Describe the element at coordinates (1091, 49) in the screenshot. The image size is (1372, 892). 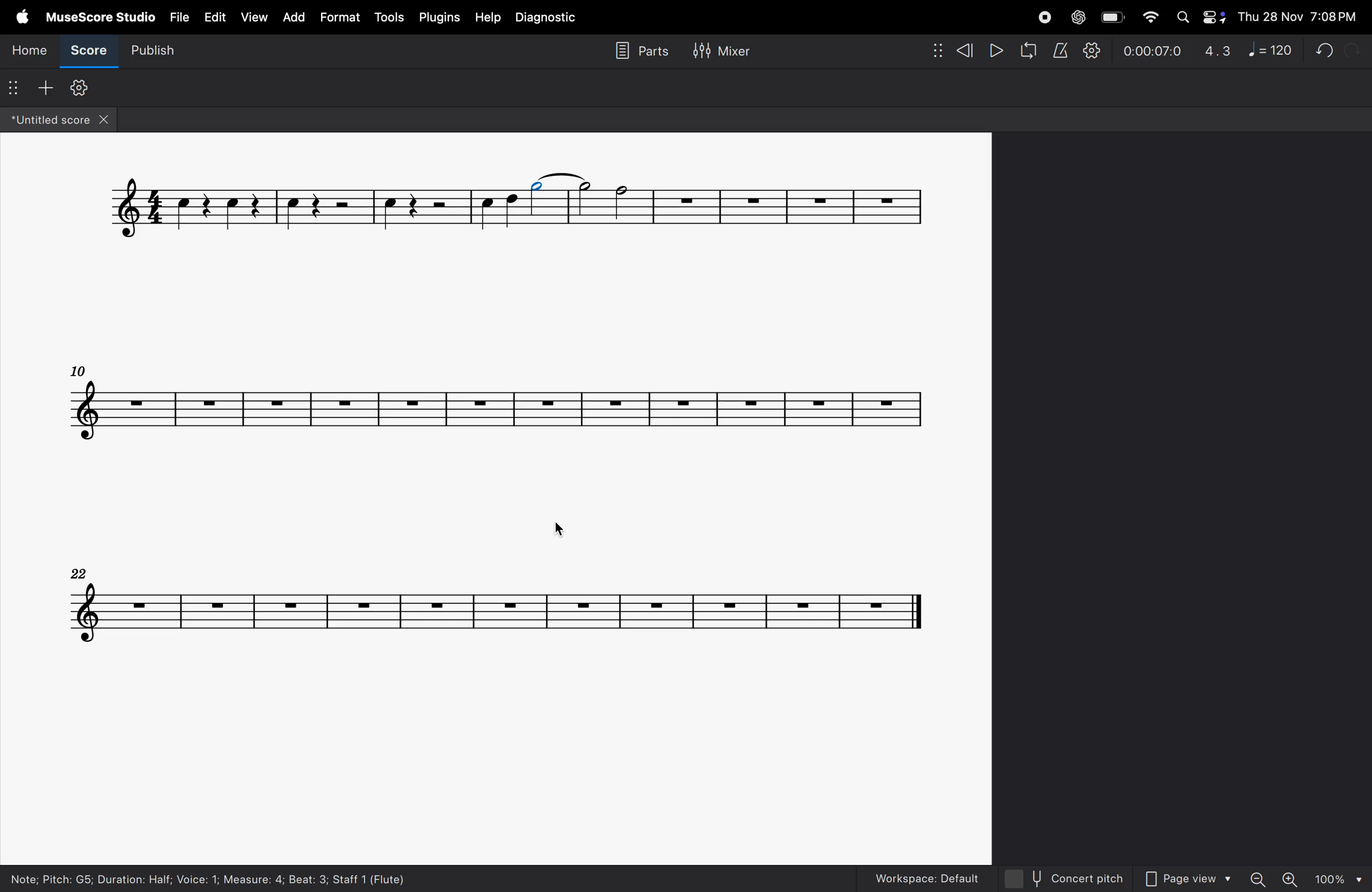
I see `setting` at that location.